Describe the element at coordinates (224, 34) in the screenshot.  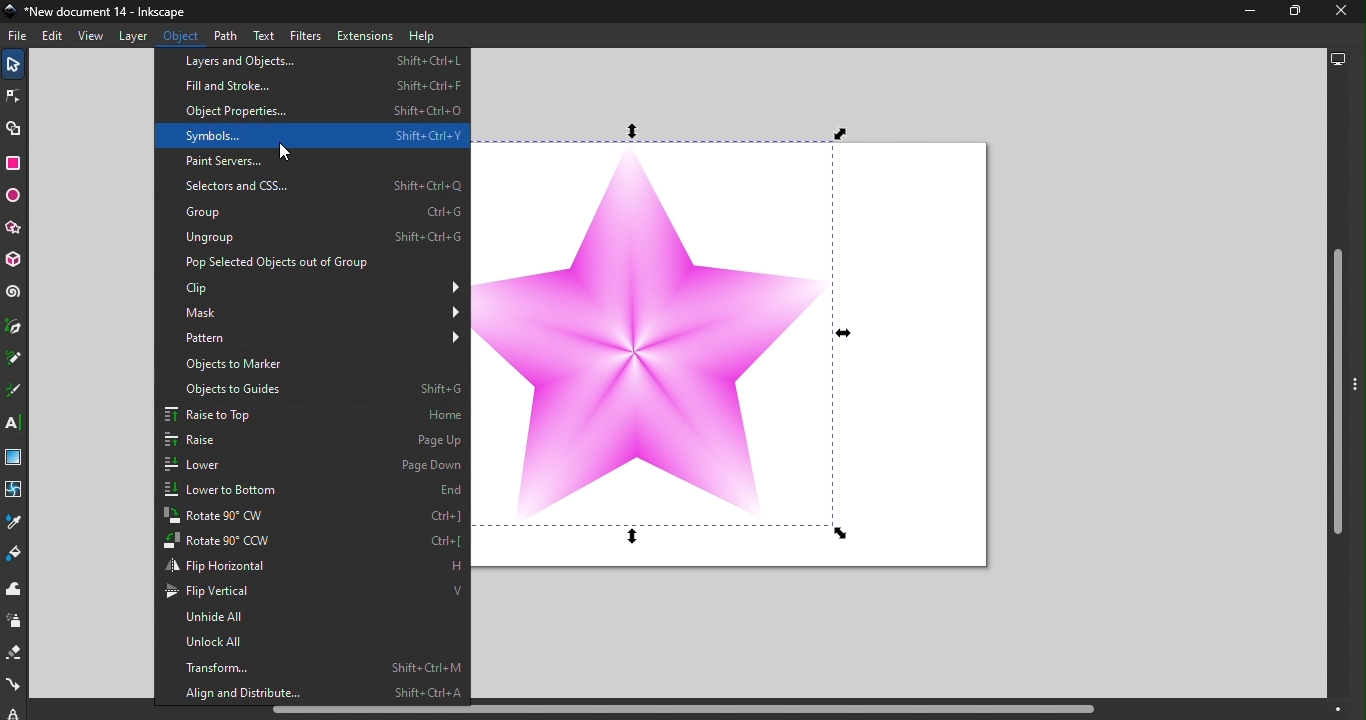
I see `Path` at that location.